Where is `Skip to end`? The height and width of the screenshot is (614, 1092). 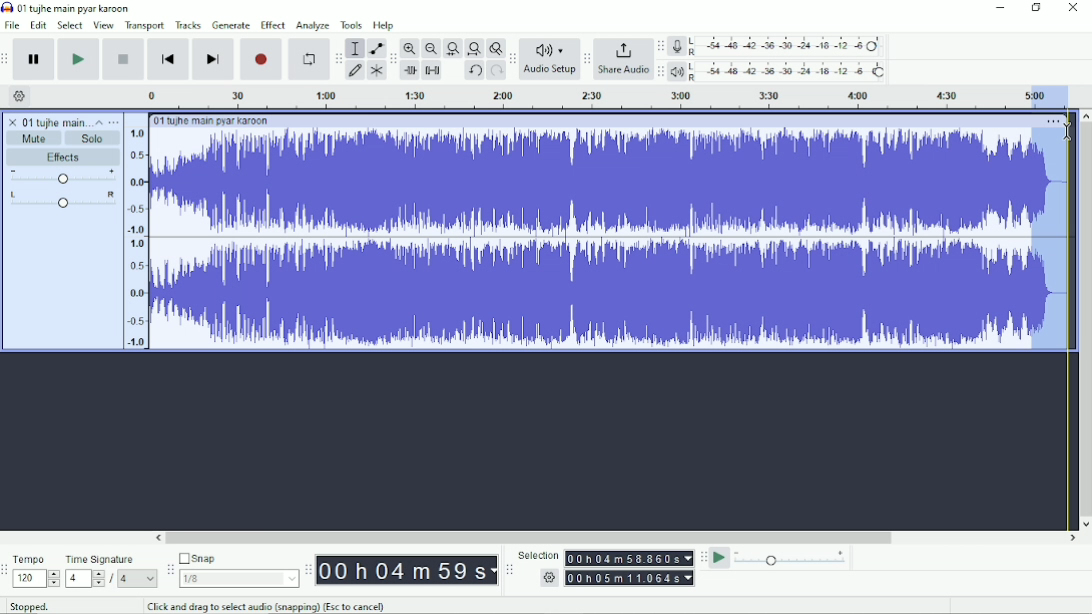 Skip to end is located at coordinates (213, 60).